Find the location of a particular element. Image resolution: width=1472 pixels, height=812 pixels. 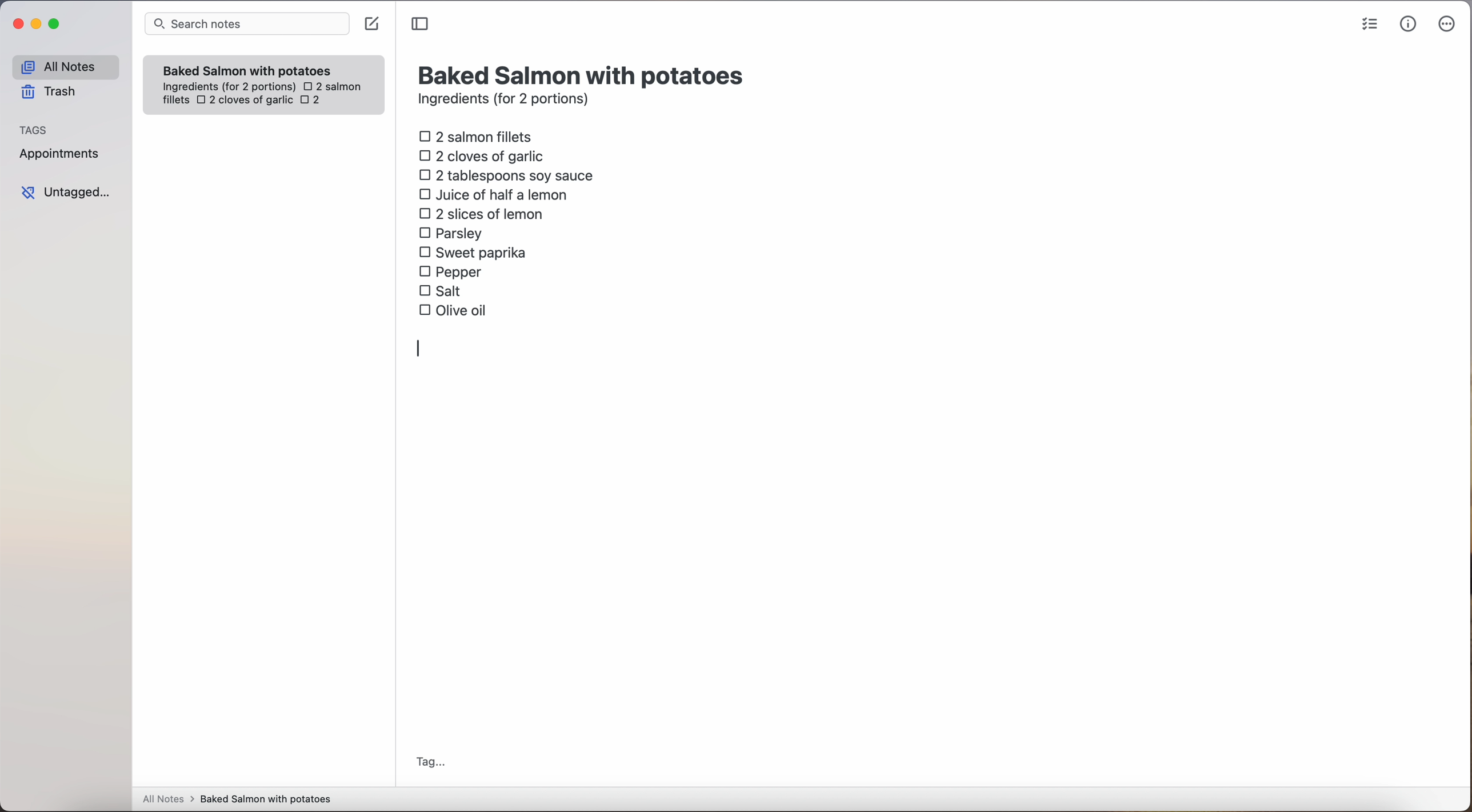

tag is located at coordinates (430, 763).